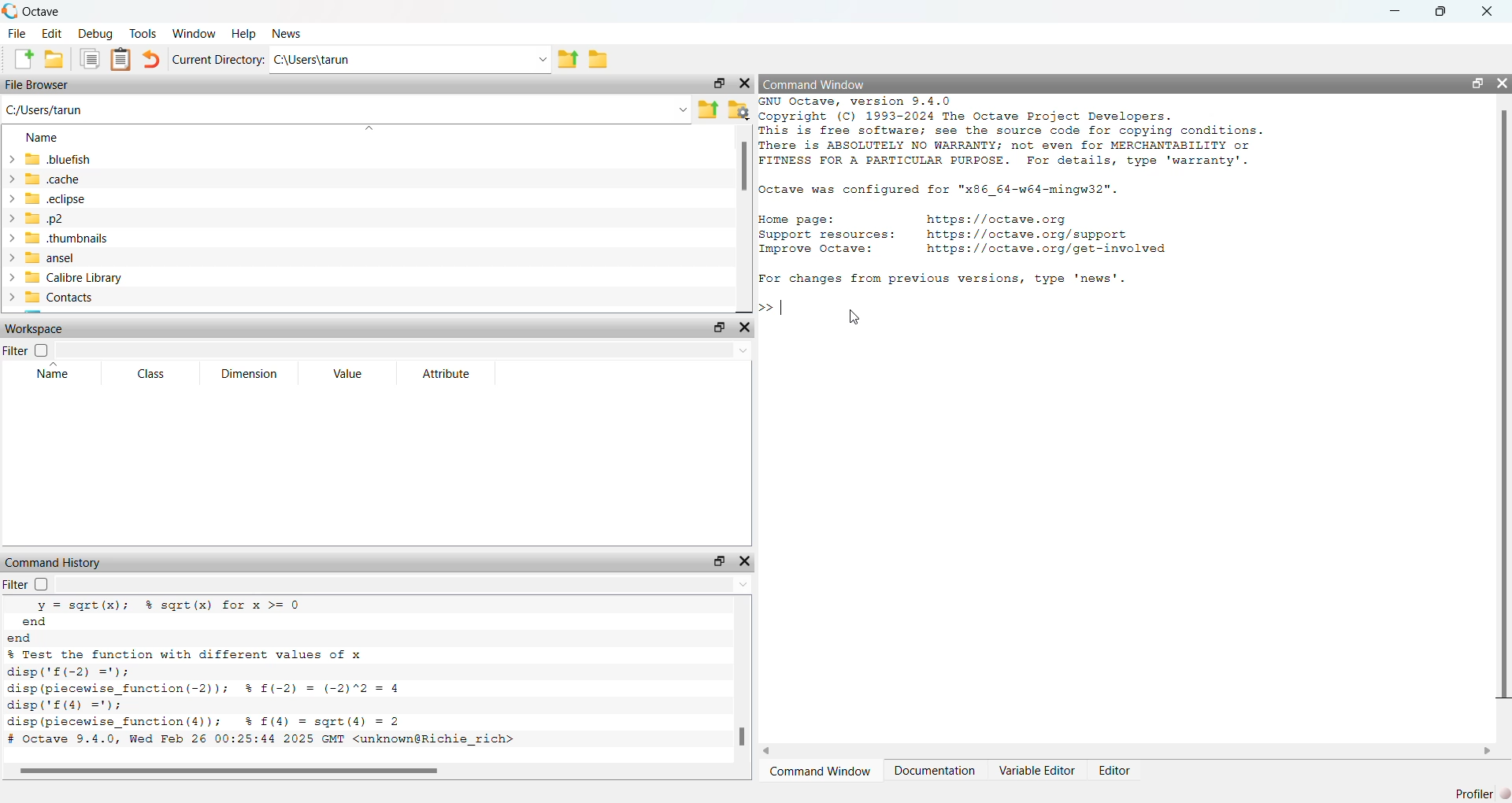 The width and height of the screenshot is (1512, 803). What do you see at coordinates (143, 32) in the screenshot?
I see `Tools` at bounding box center [143, 32].